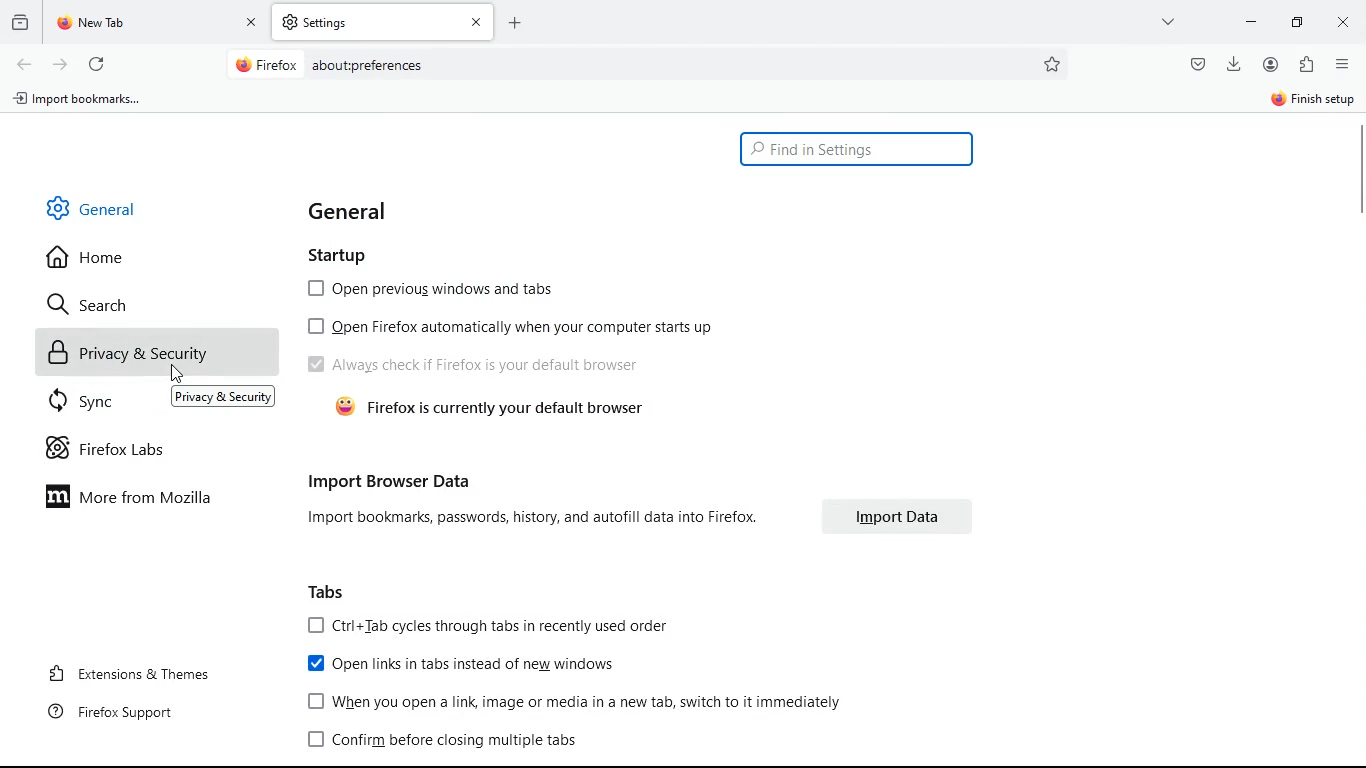 The height and width of the screenshot is (768, 1366). I want to click on [J Confirm before closing multiple tabs, so click(438, 739).